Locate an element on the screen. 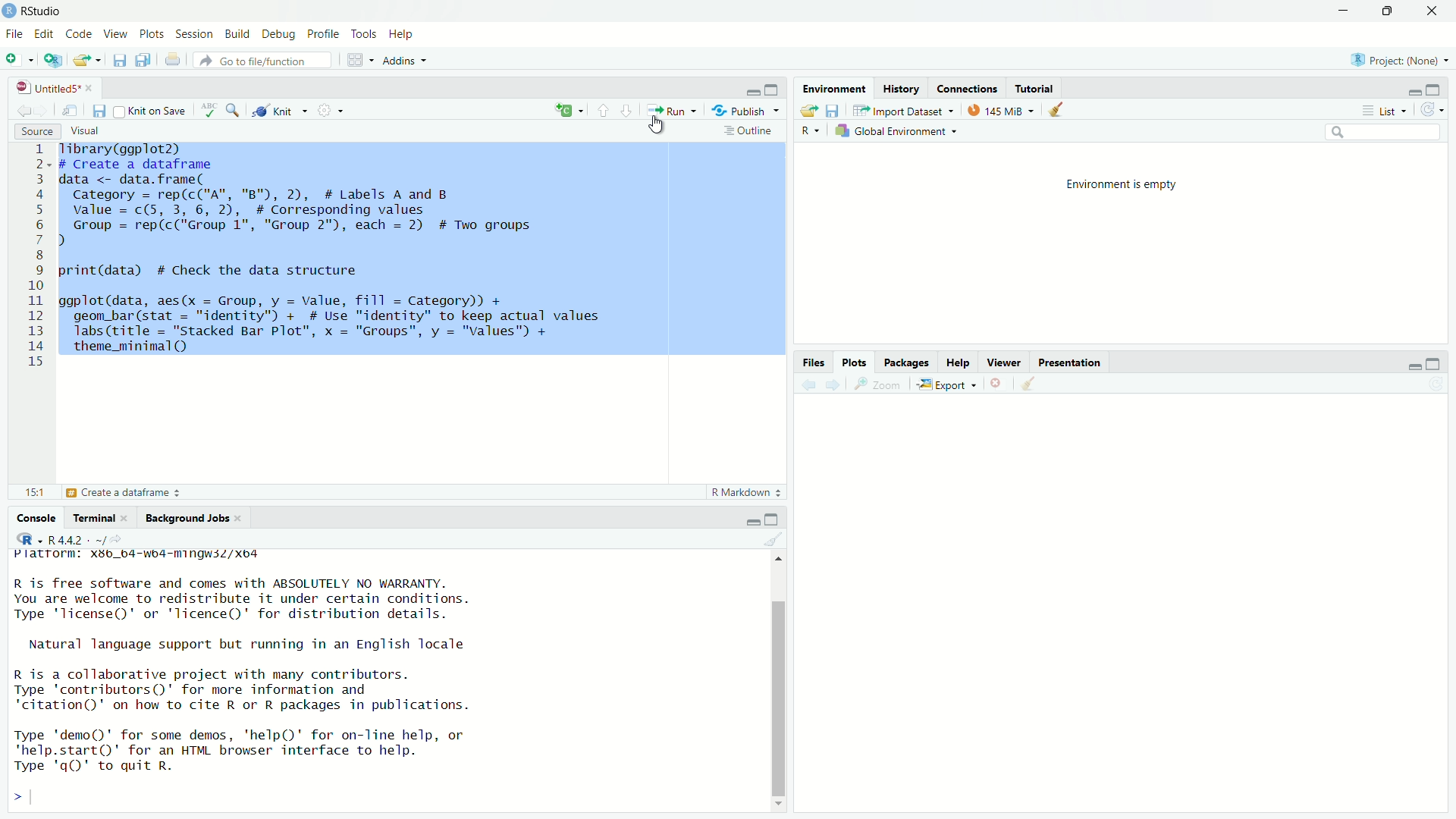 This screenshot has height=819, width=1456. Workspace panes is located at coordinates (357, 60).